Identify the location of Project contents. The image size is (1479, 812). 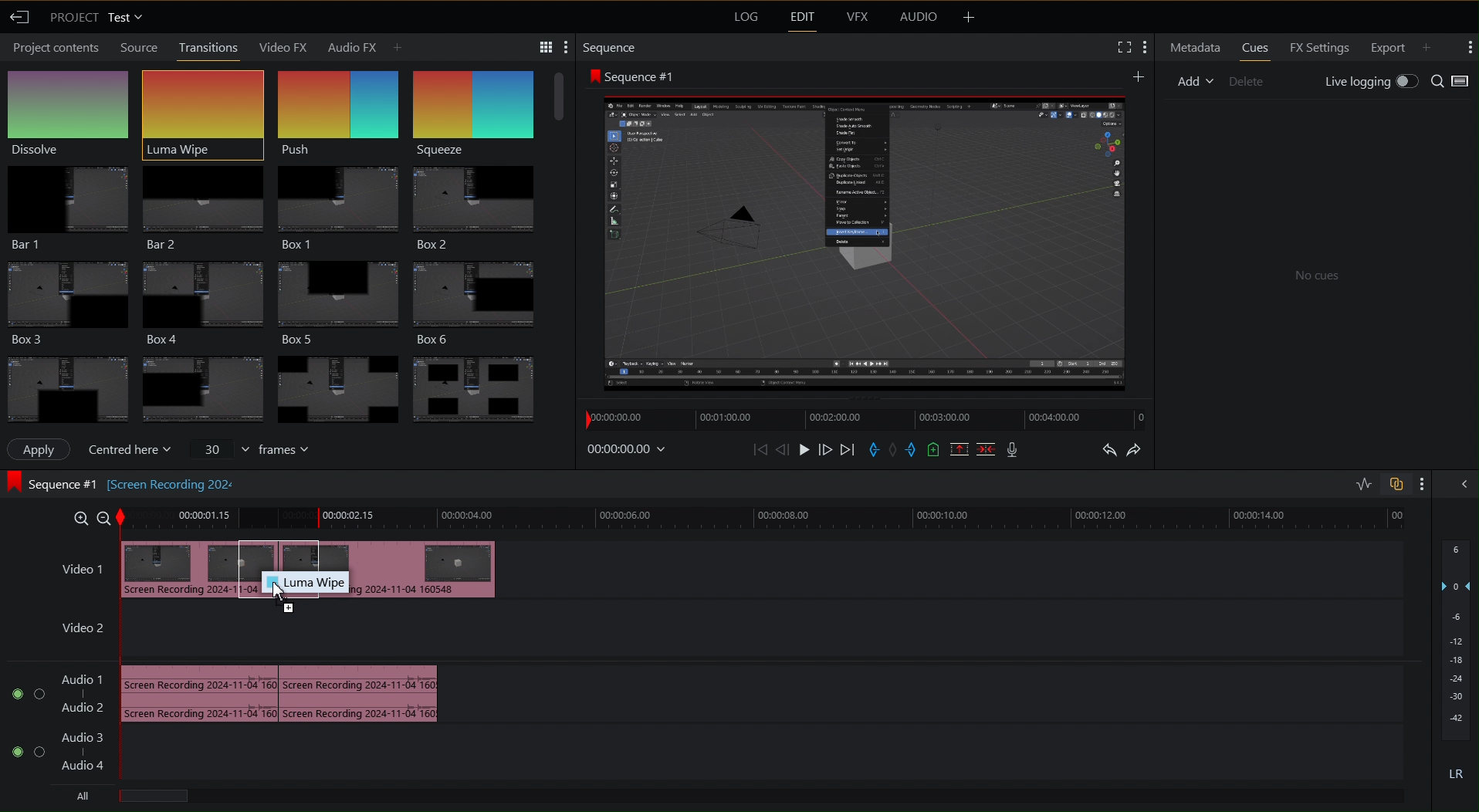
(53, 49).